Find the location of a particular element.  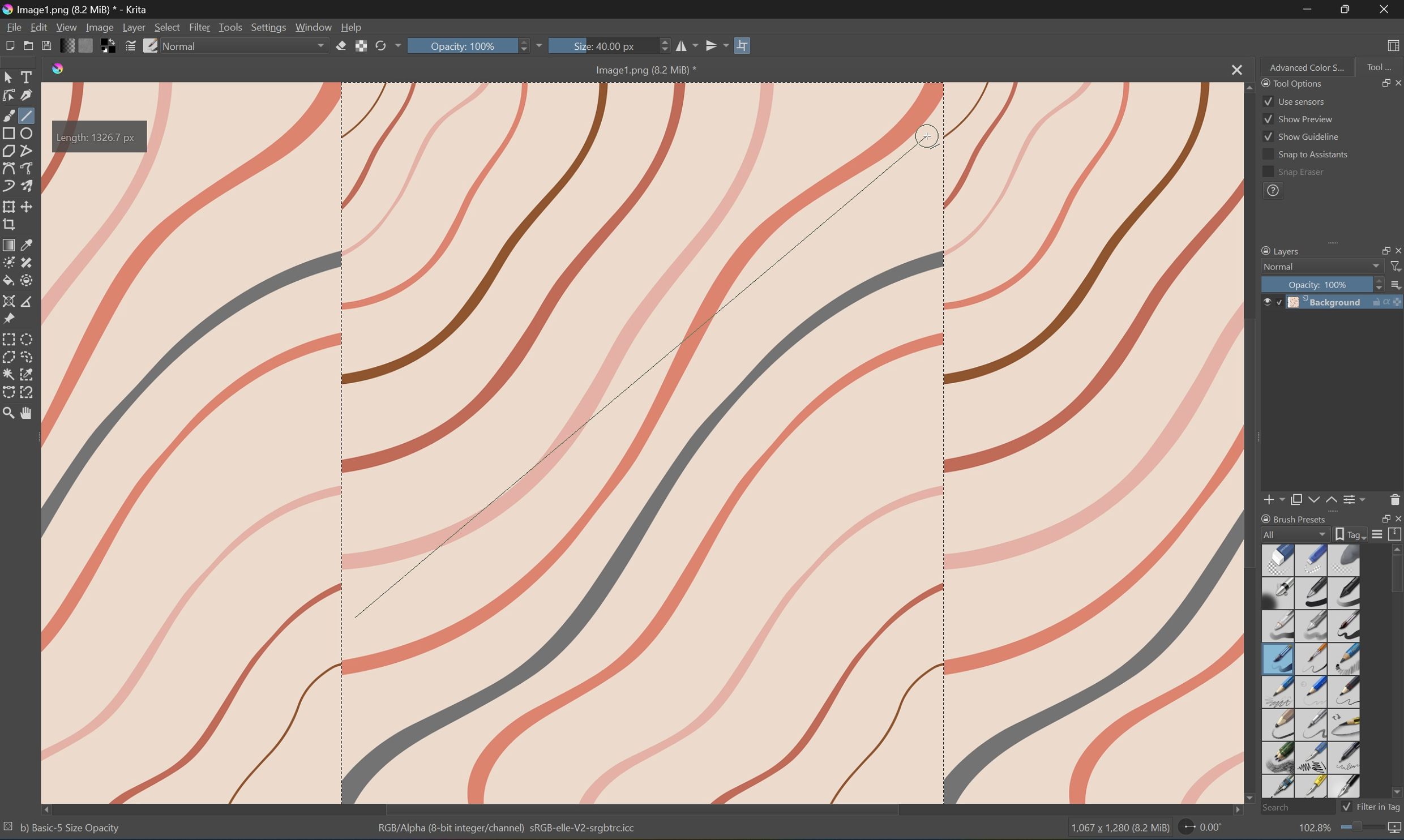

Close is located at coordinates (1385, 9).